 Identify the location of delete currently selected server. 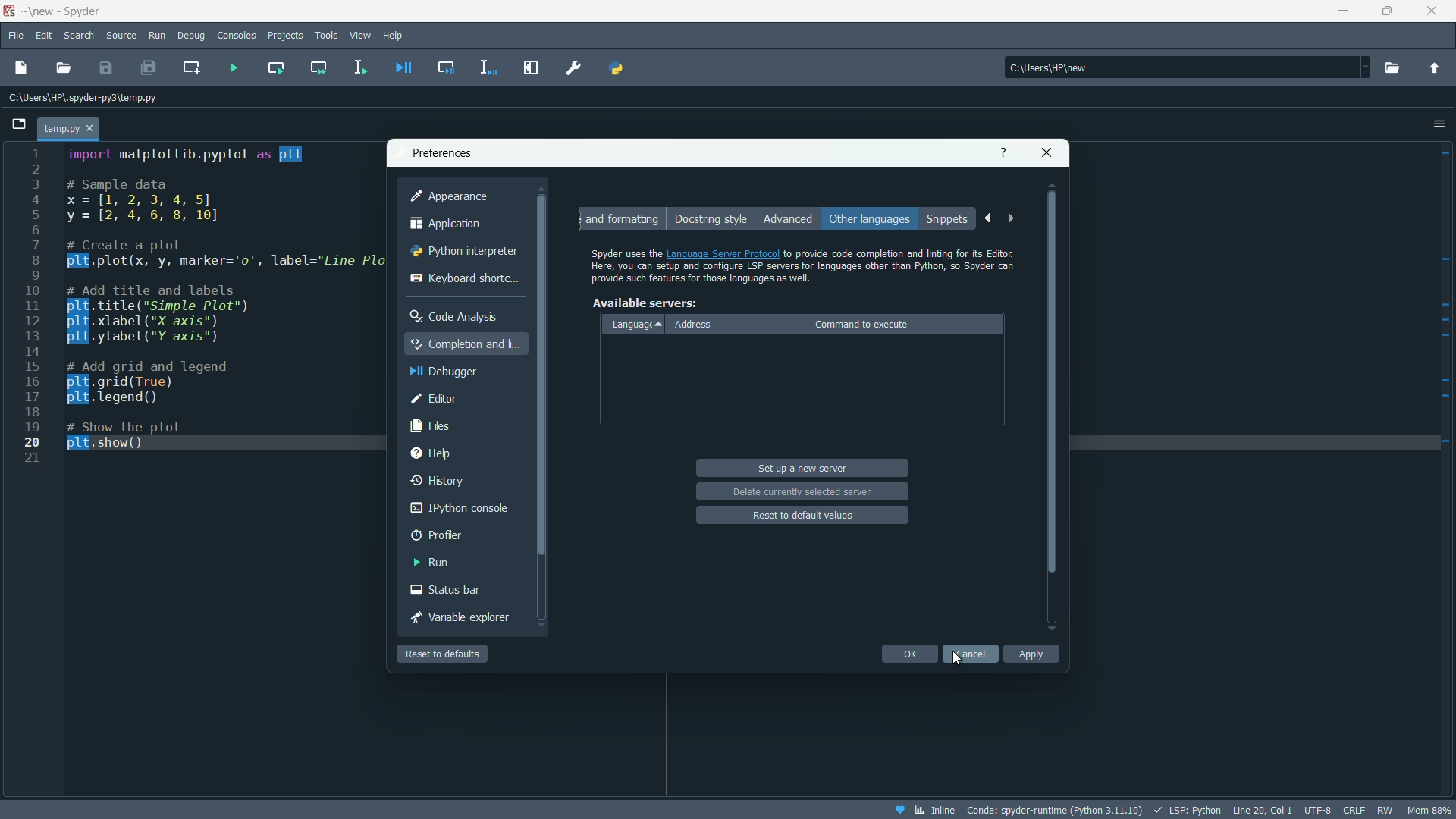
(802, 491).